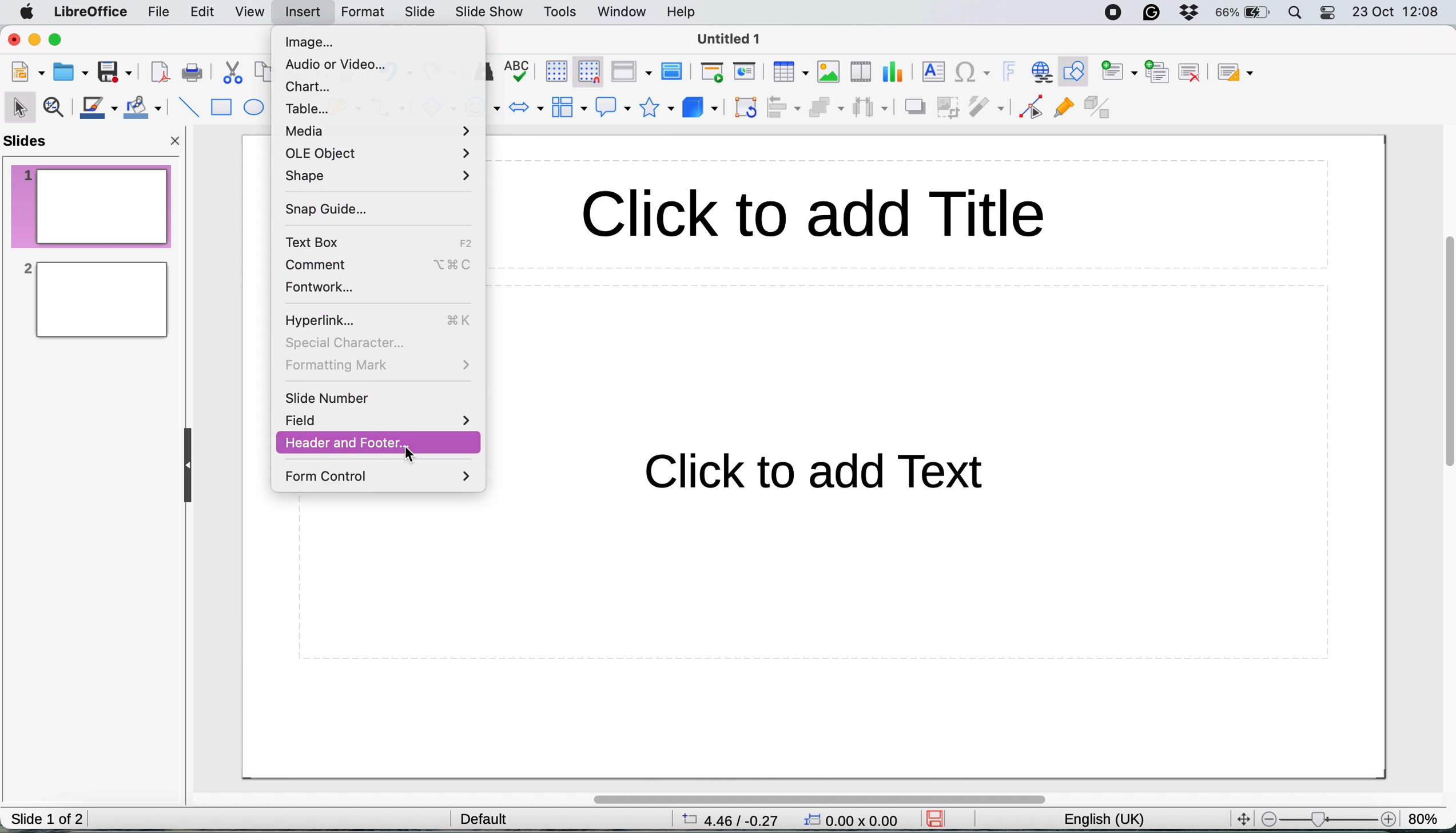 The height and width of the screenshot is (833, 1456). I want to click on zoom factor, so click(1327, 819).